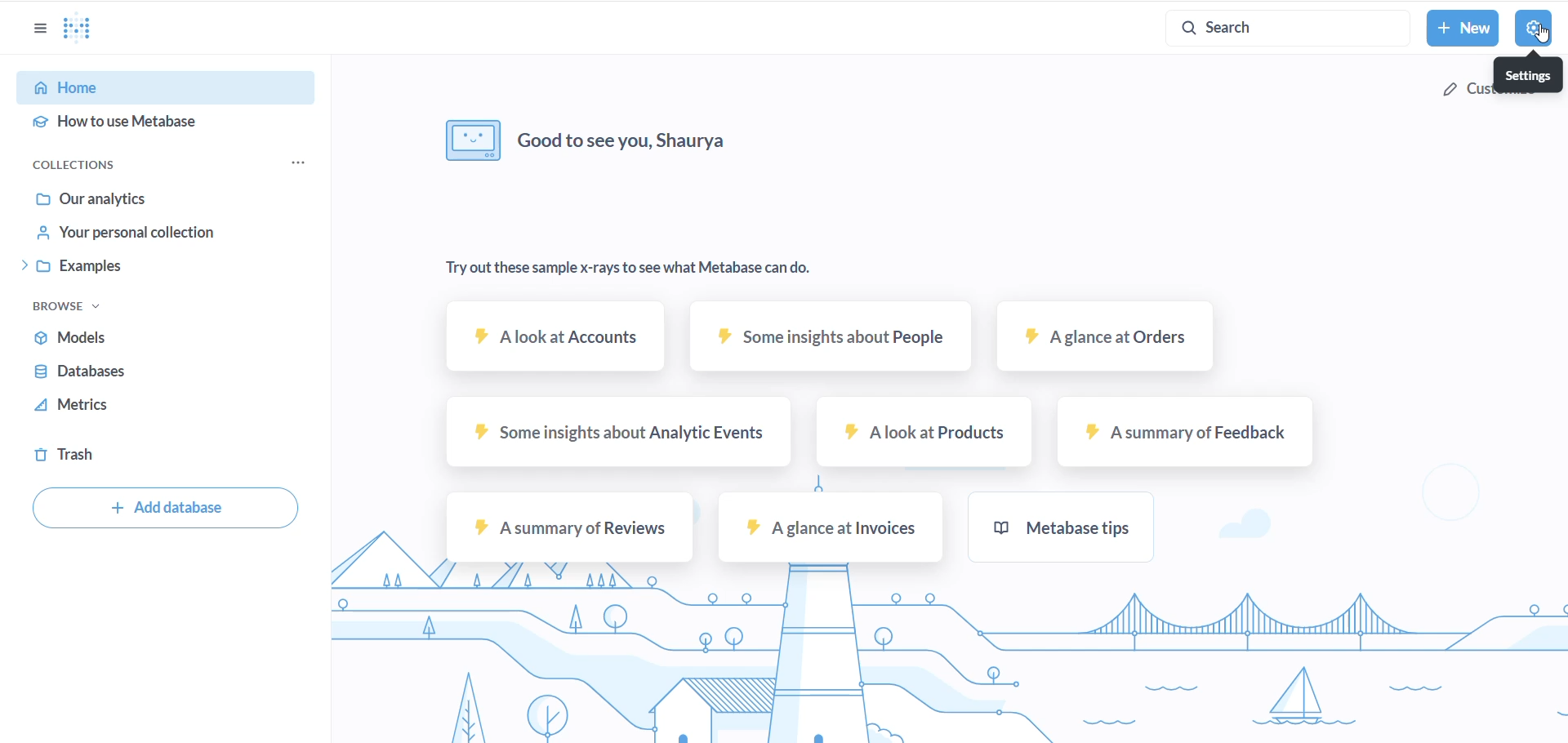 This screenshot has height=743, width=1568. What do you see at coordinates (570, 527) in the screenshot?
I see `A summary of Reviews sample` at bounding box center [570, 527].